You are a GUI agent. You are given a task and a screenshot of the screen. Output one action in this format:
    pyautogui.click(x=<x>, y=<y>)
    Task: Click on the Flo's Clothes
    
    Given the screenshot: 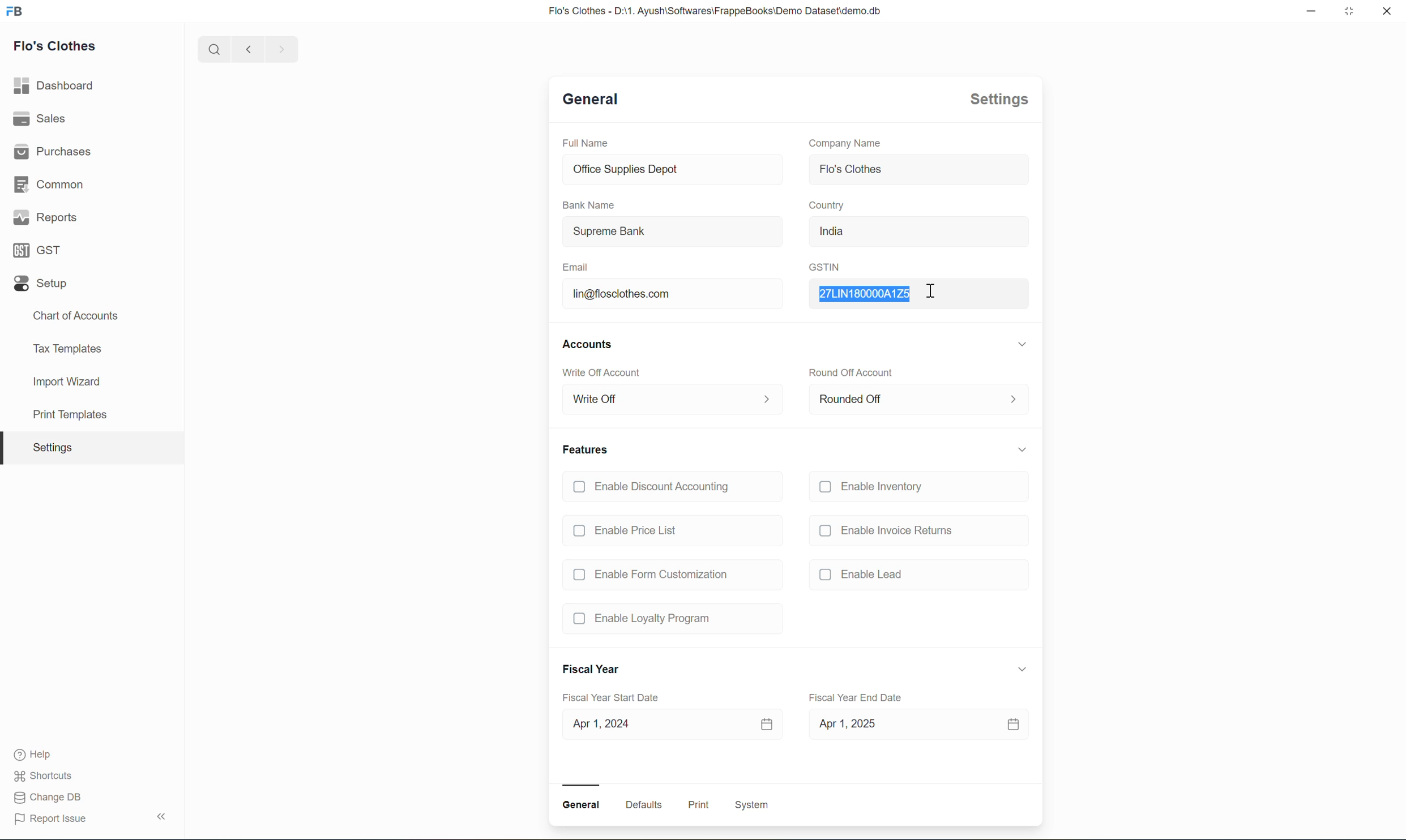 What is the action you would take?
    pyautogui.click(x=55, y=47)
    